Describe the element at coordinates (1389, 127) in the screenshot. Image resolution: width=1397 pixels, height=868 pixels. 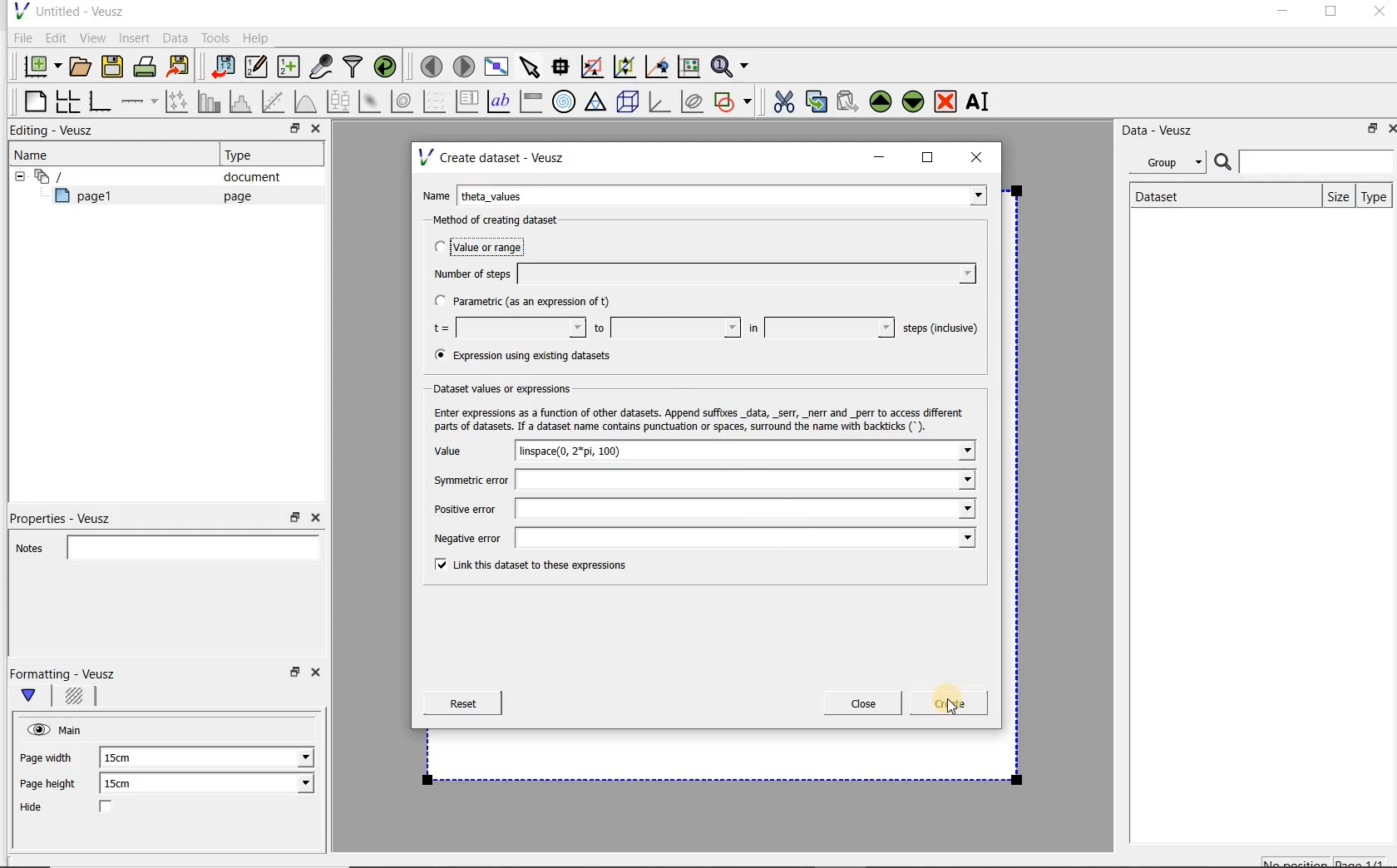
I see `Close` at that location.